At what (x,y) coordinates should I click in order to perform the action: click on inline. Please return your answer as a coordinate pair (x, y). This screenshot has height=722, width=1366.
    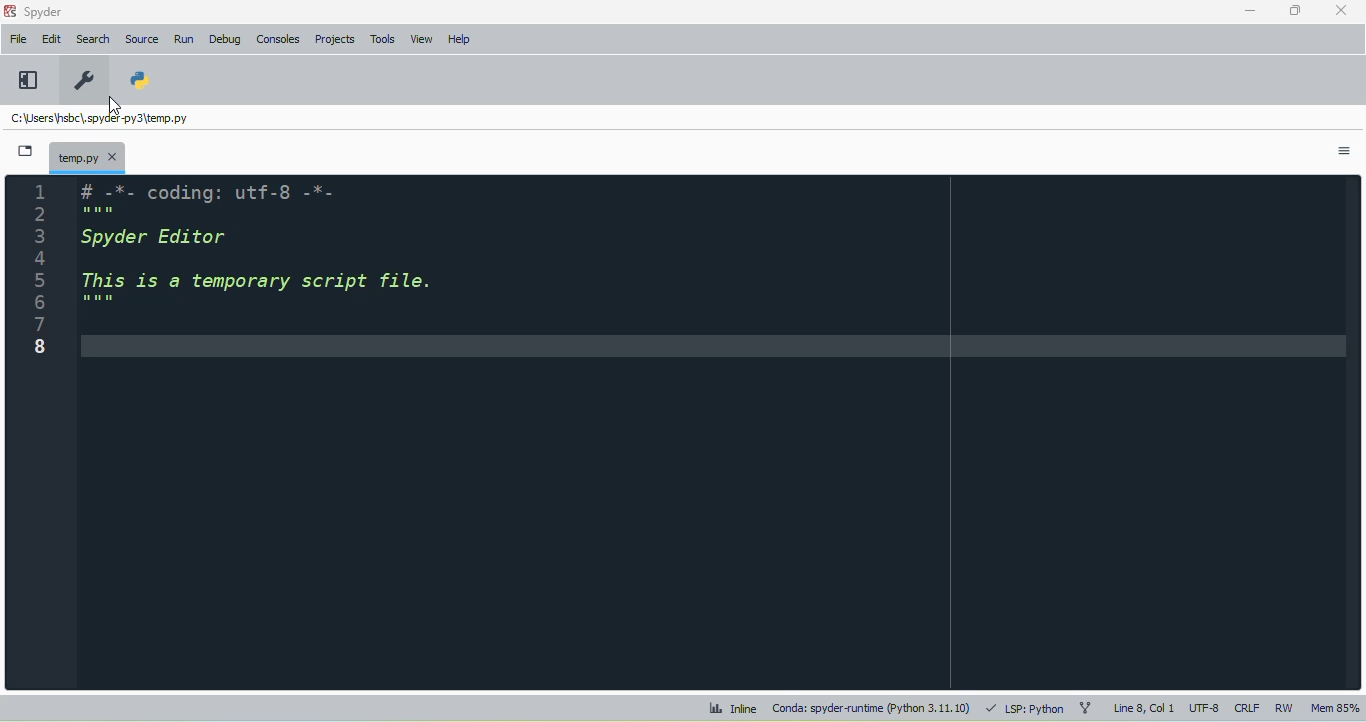
    Looking at the image, I should click on (732, 708).